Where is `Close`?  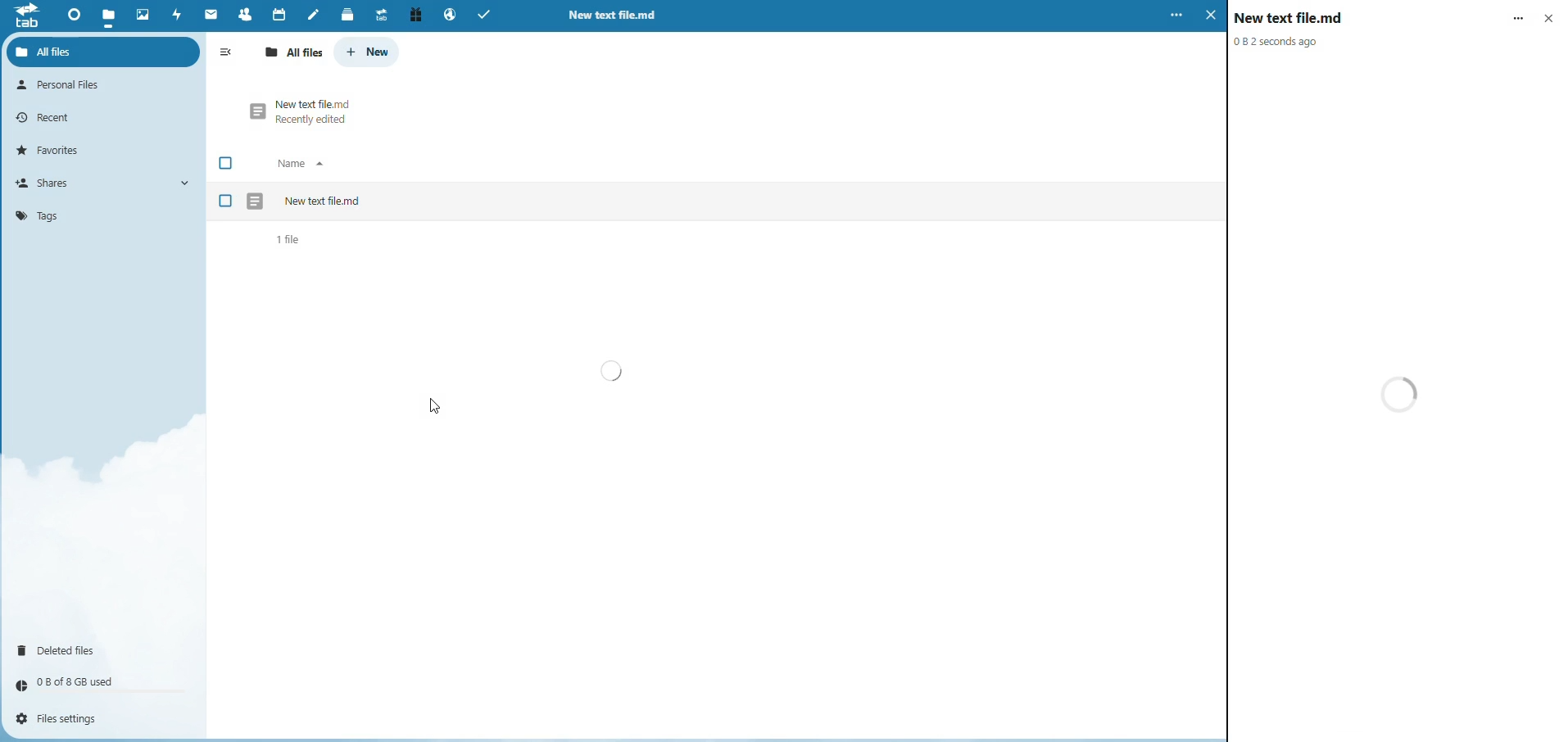
Close is located at coordinates (1210, 16).